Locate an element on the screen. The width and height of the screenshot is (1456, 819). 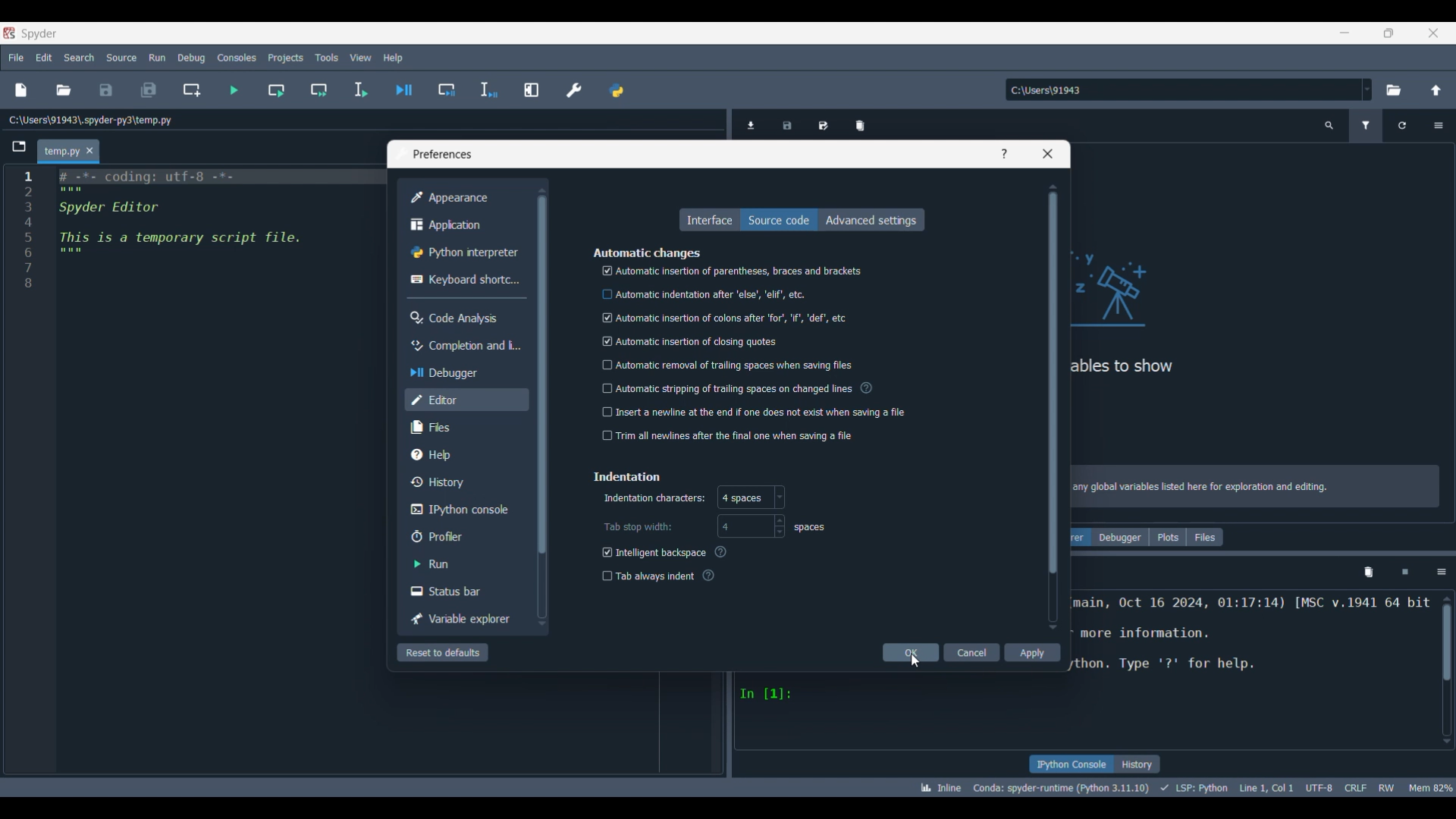
Current tab is located at coordinates (61, 152).